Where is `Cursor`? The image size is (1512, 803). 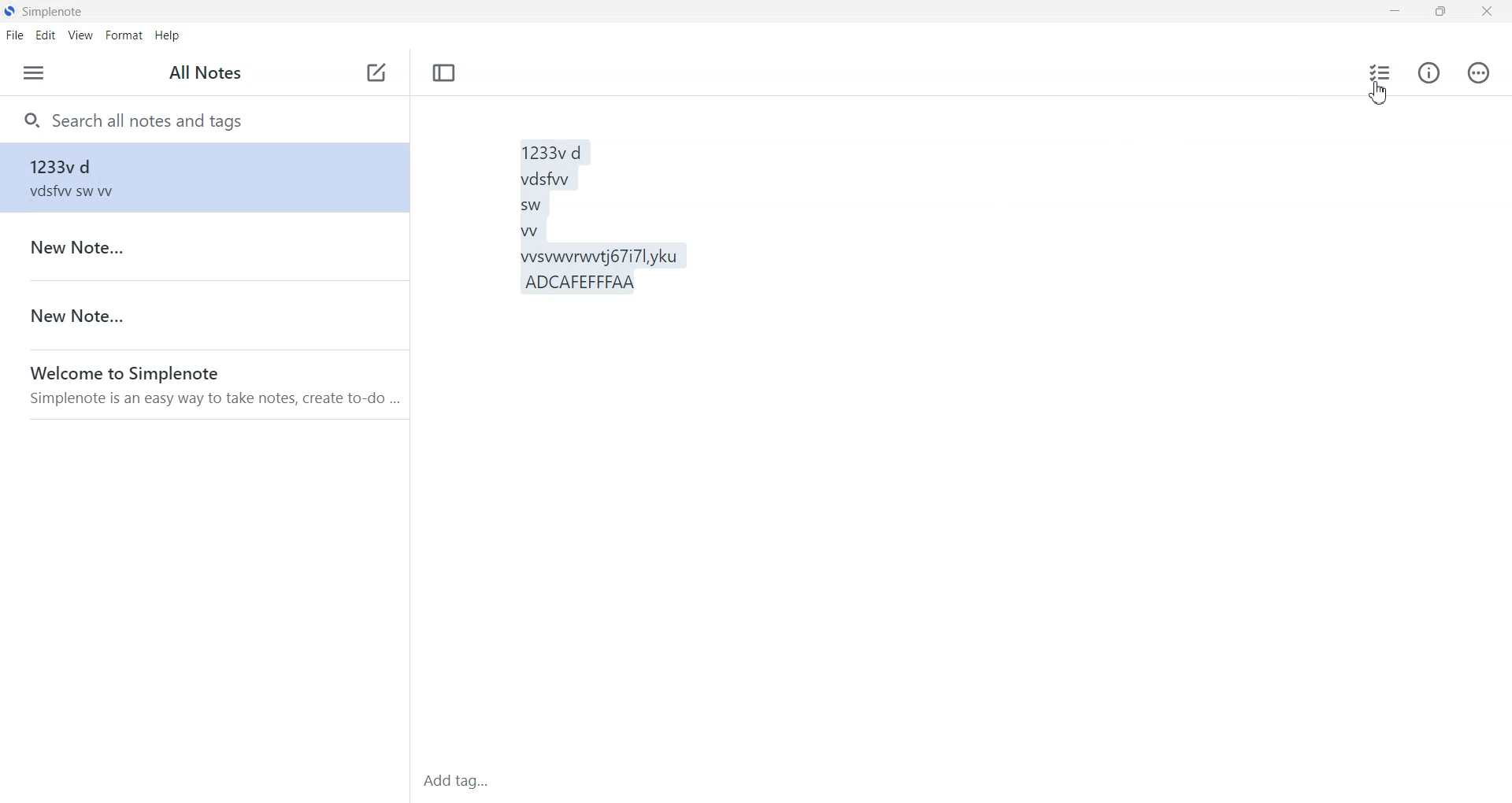
Cursor is located at coordinates (1377, 95).